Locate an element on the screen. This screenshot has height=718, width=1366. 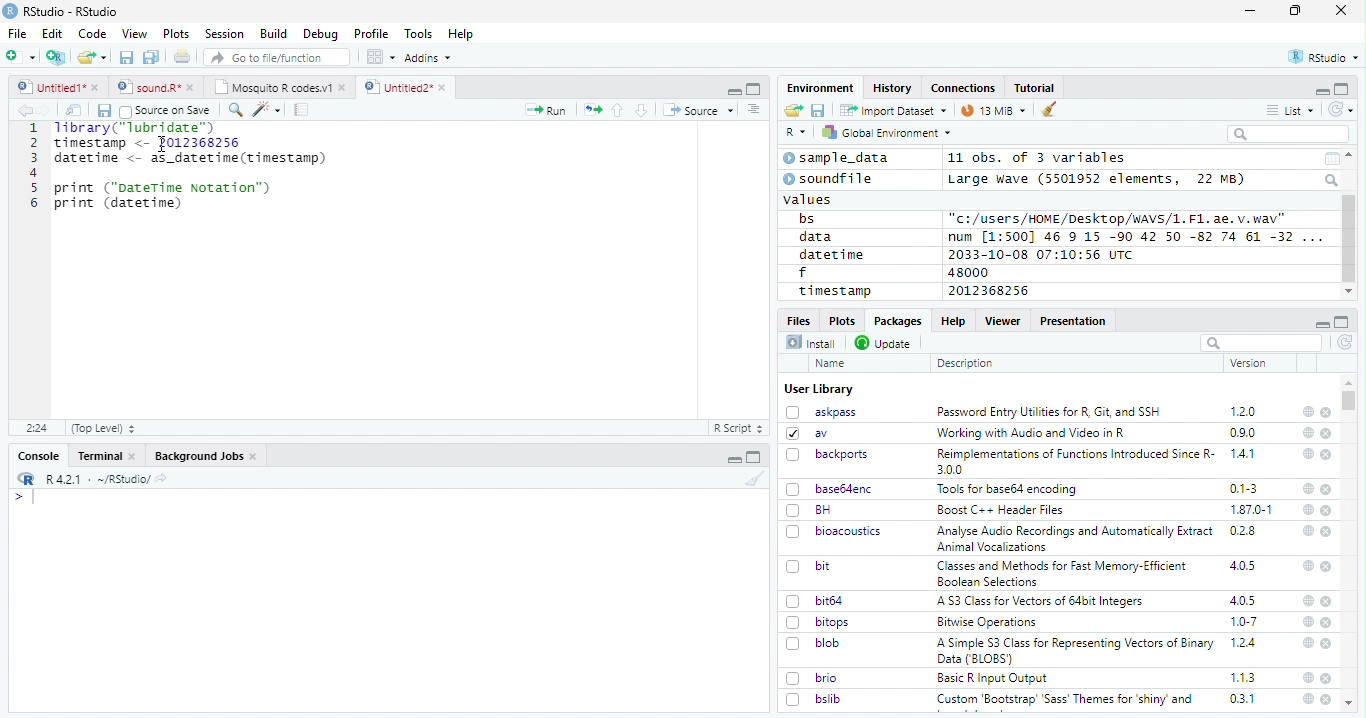
bit64 is located at coordinates (815, 601).